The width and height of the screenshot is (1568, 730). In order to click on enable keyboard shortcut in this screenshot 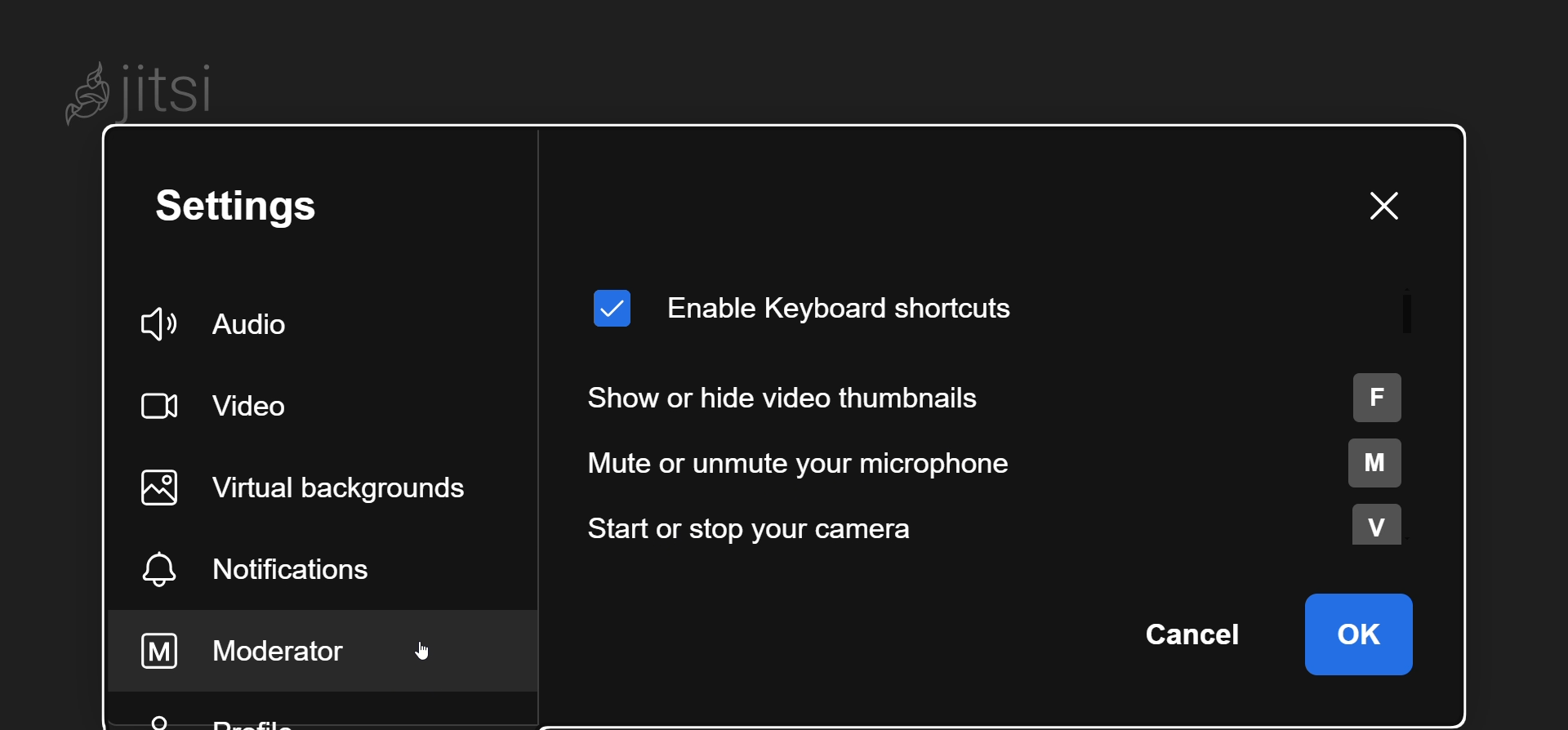, I will do `click(814, 314)`.